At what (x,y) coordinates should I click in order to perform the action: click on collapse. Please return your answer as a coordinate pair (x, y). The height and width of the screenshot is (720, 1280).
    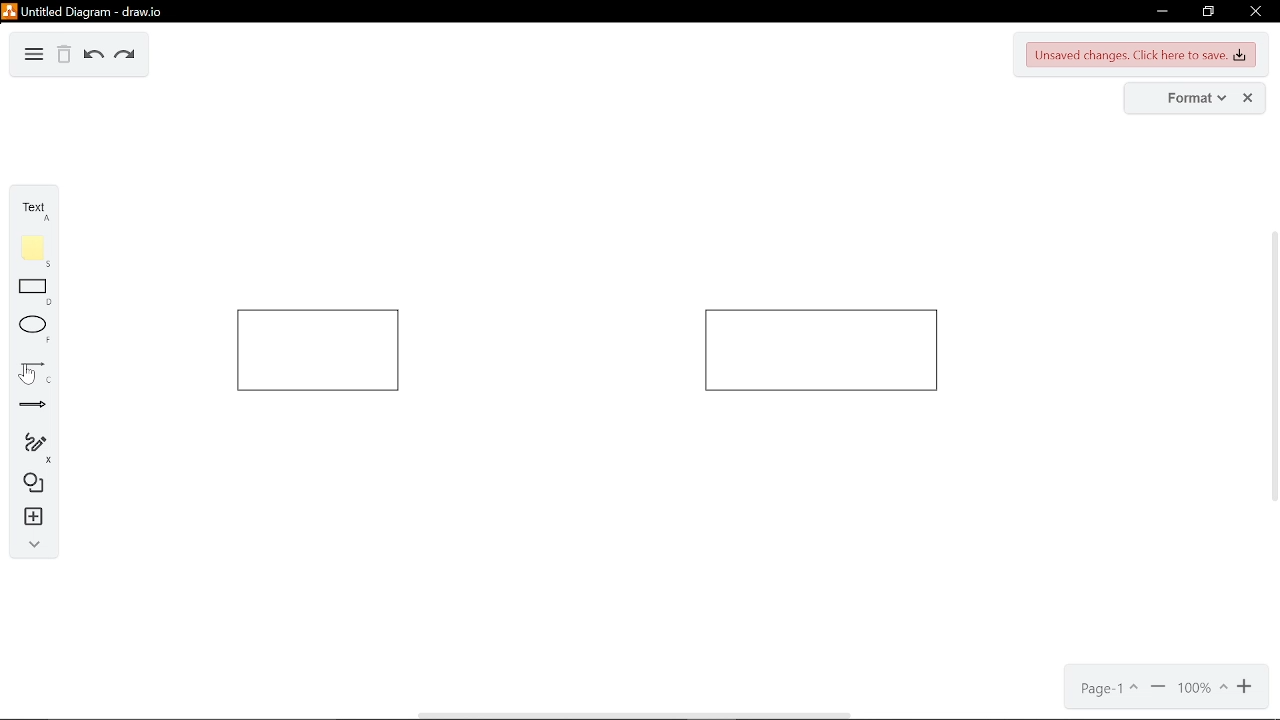
    Looking at the image, I should click on (33, 544).